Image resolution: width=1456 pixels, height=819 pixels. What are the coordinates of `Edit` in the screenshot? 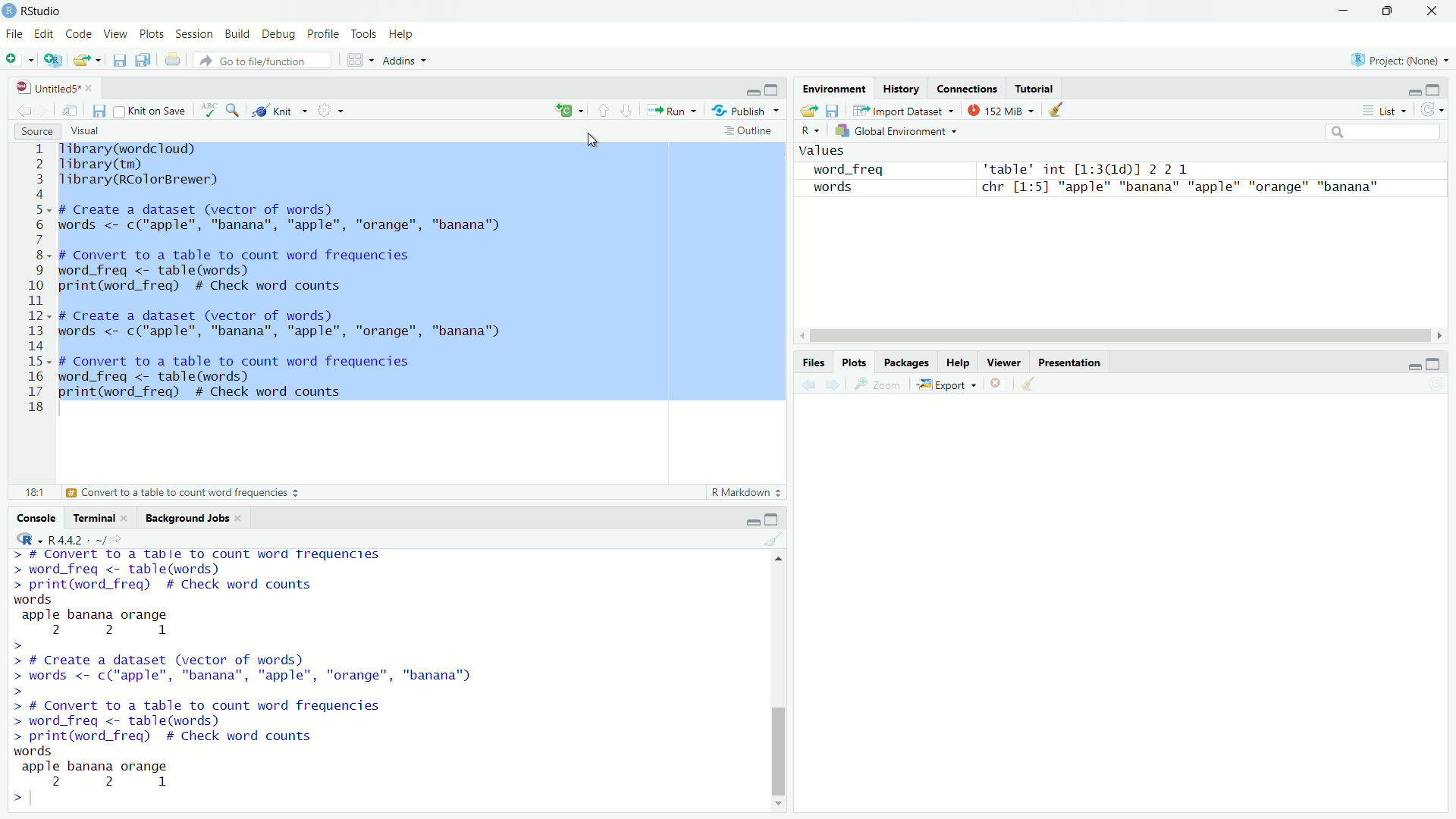 It's located at (45, 33).